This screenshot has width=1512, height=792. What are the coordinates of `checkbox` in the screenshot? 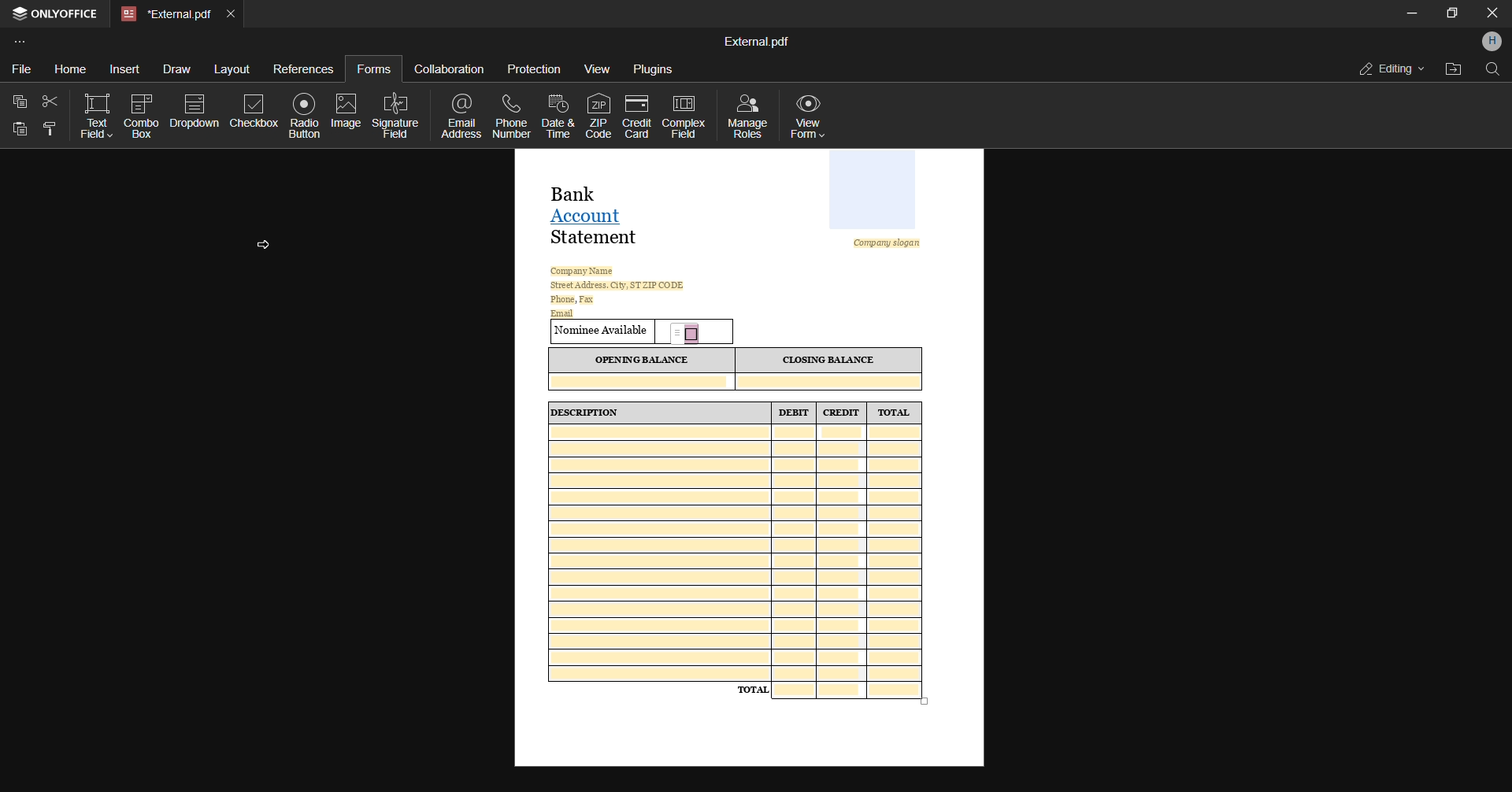 It's located at (253, 119).